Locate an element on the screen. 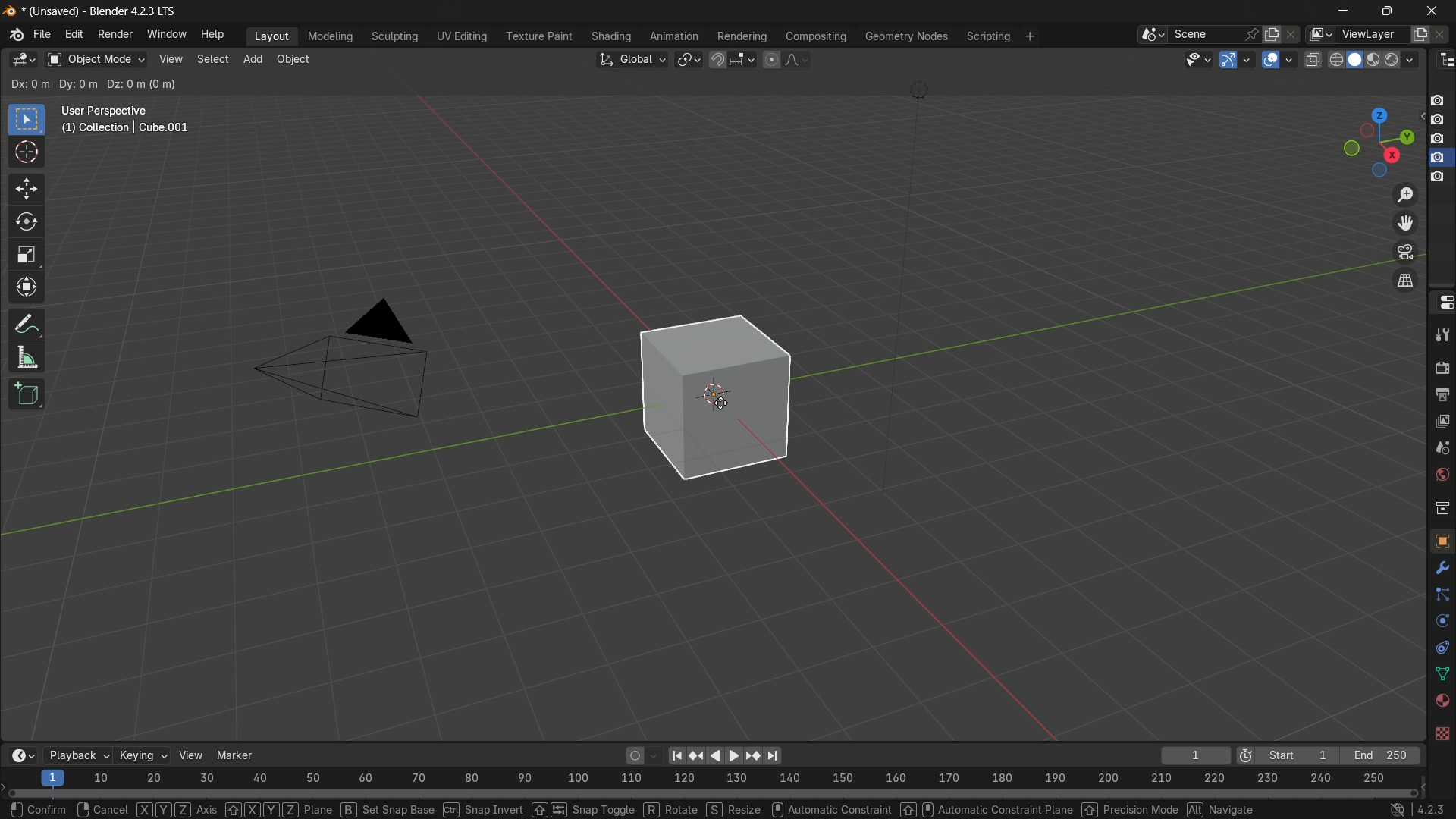 This screenshot has width=1456, height=819. keying is located at coordinates (143, 754).